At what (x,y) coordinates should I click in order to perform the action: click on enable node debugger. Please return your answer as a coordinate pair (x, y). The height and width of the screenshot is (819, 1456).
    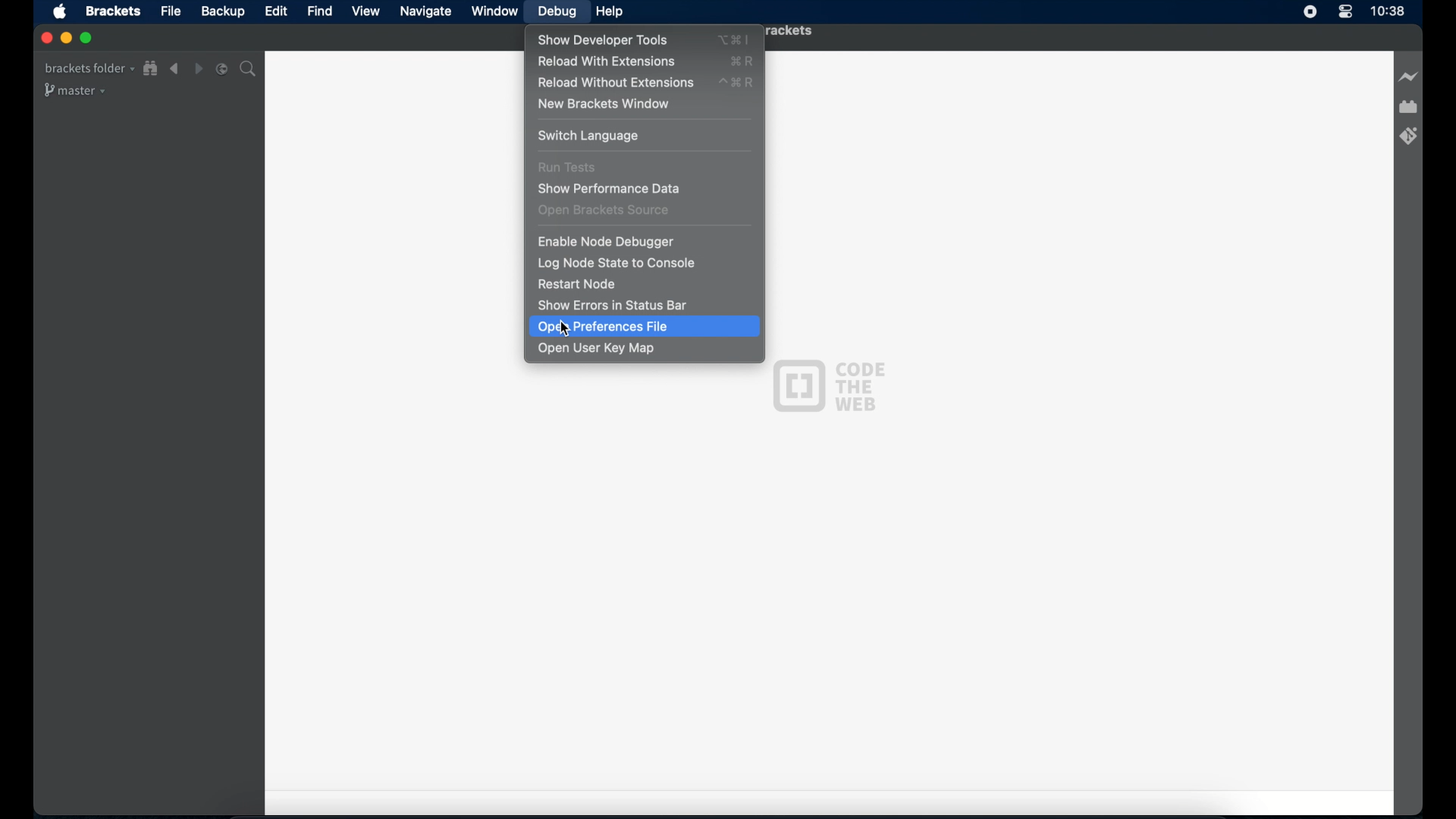
    Looking at the image, I should click on (607, 243).